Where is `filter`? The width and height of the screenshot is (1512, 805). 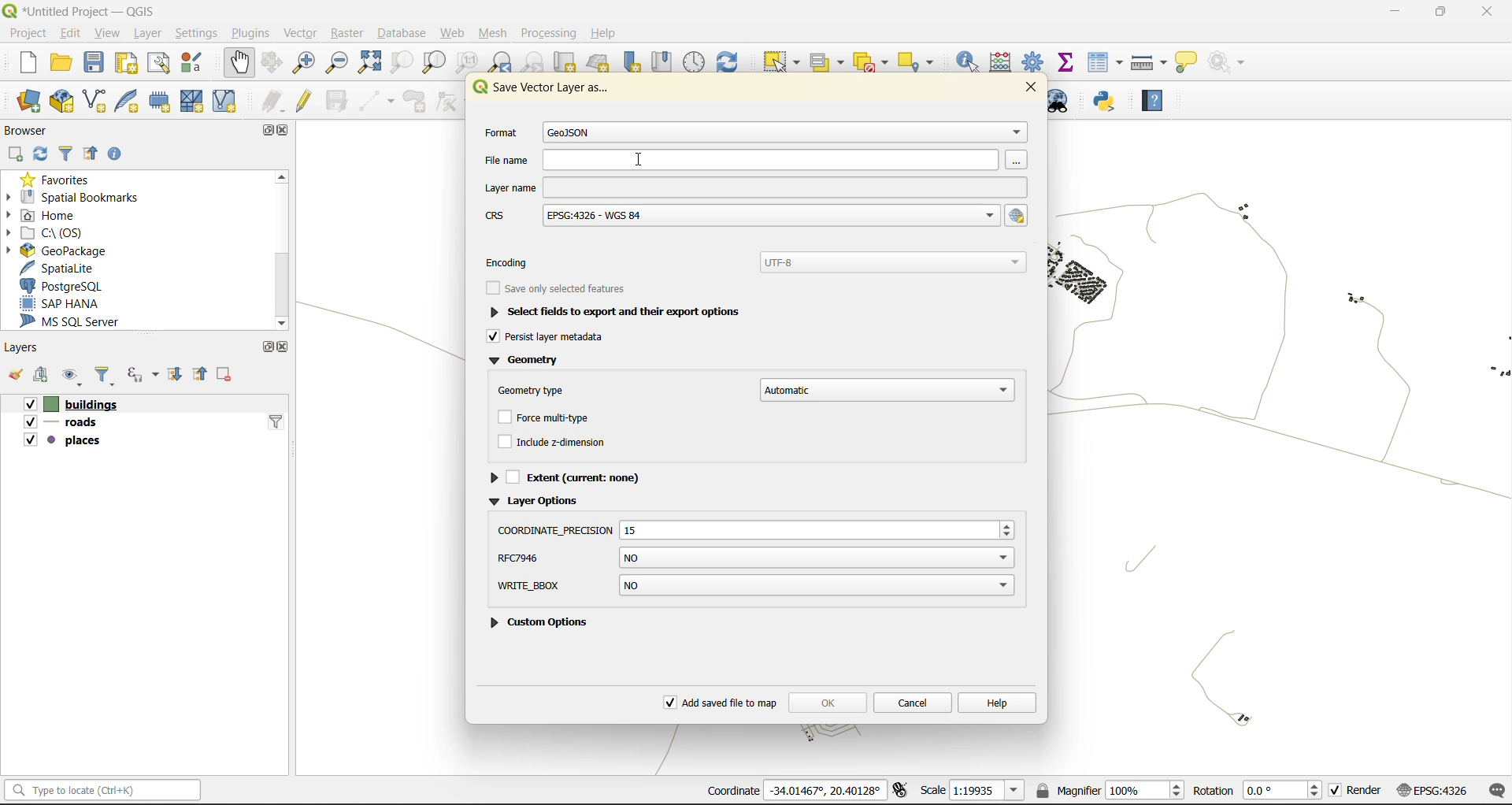 filter is located at coordinates (67, 153).